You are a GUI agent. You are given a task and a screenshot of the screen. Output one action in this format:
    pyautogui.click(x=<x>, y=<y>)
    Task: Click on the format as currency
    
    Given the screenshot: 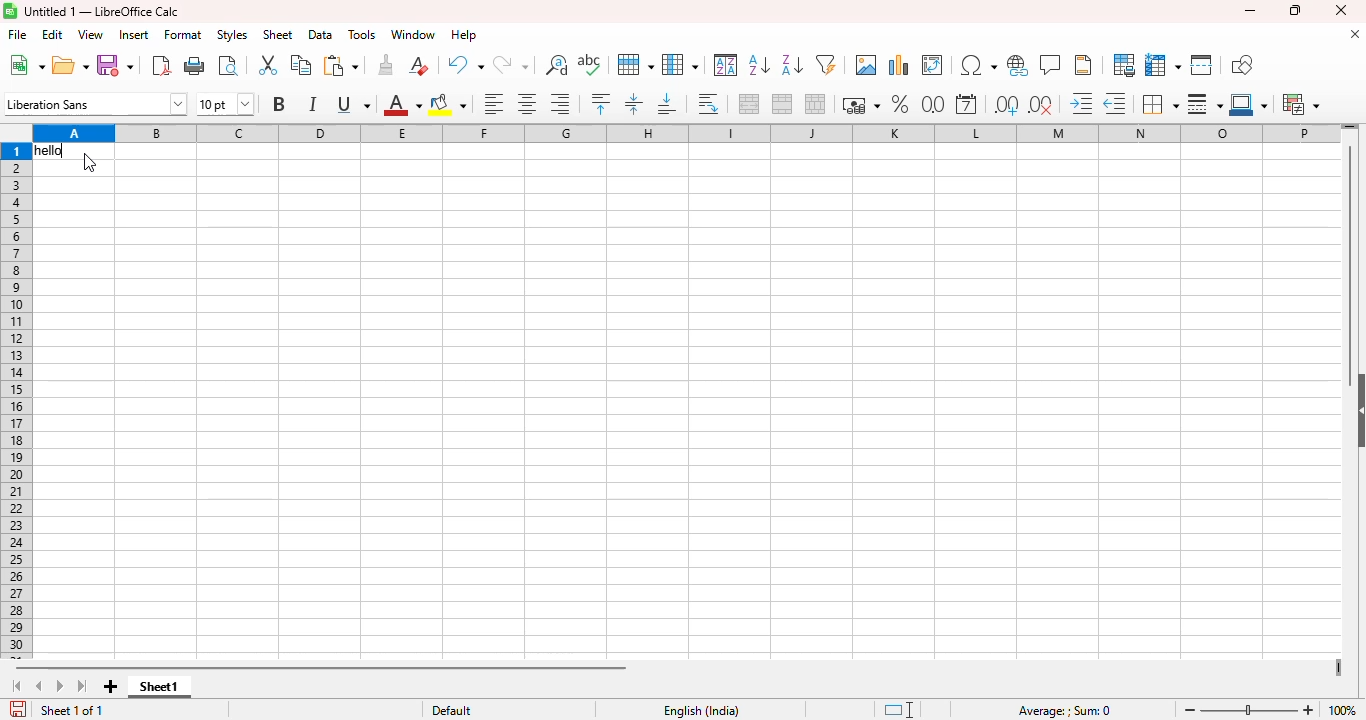 What is the action you would take?
    pyautogui.click(x=860, y=105)
    